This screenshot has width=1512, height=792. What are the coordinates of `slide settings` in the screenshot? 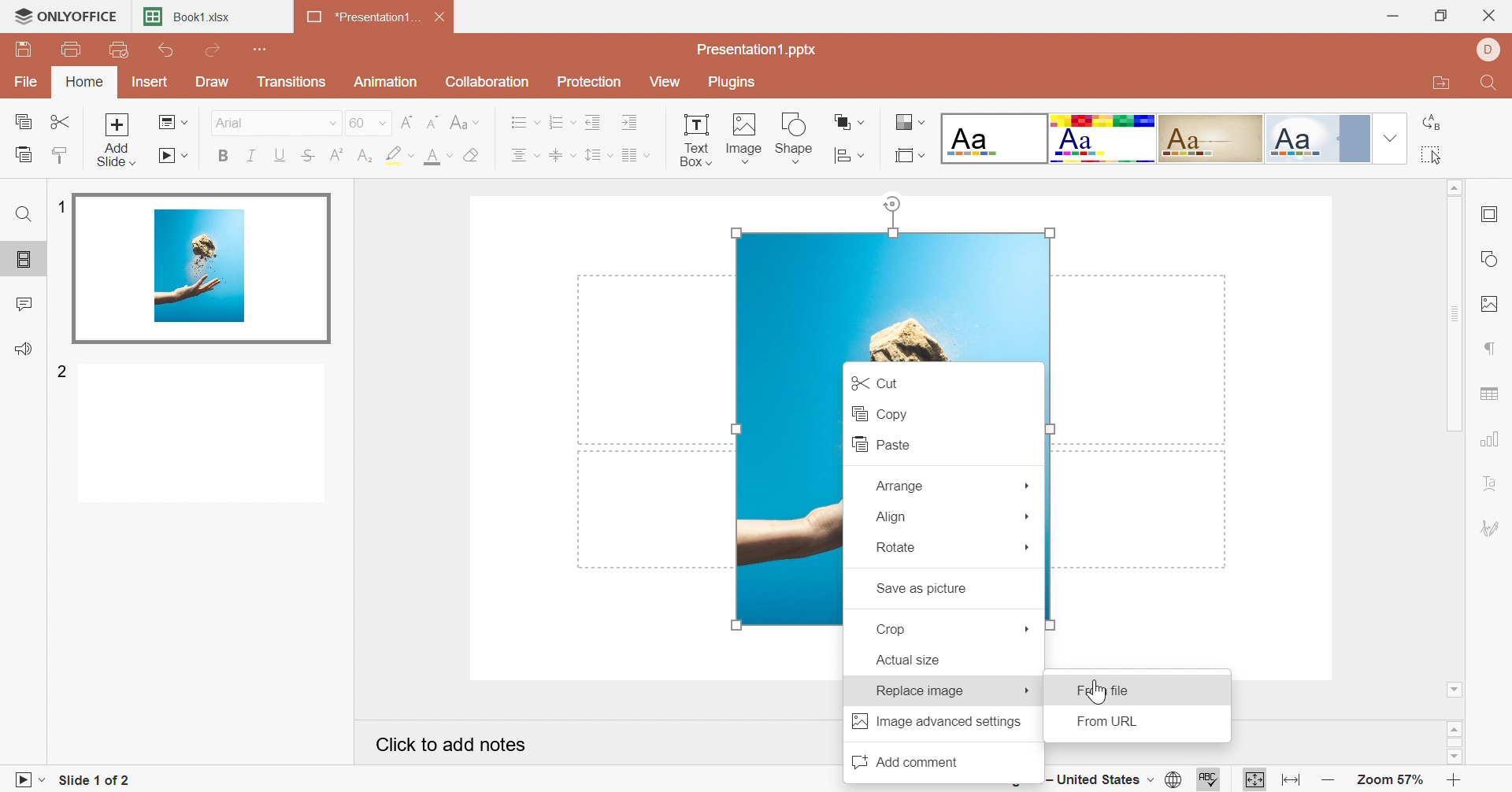 It's located at (1494, 214).